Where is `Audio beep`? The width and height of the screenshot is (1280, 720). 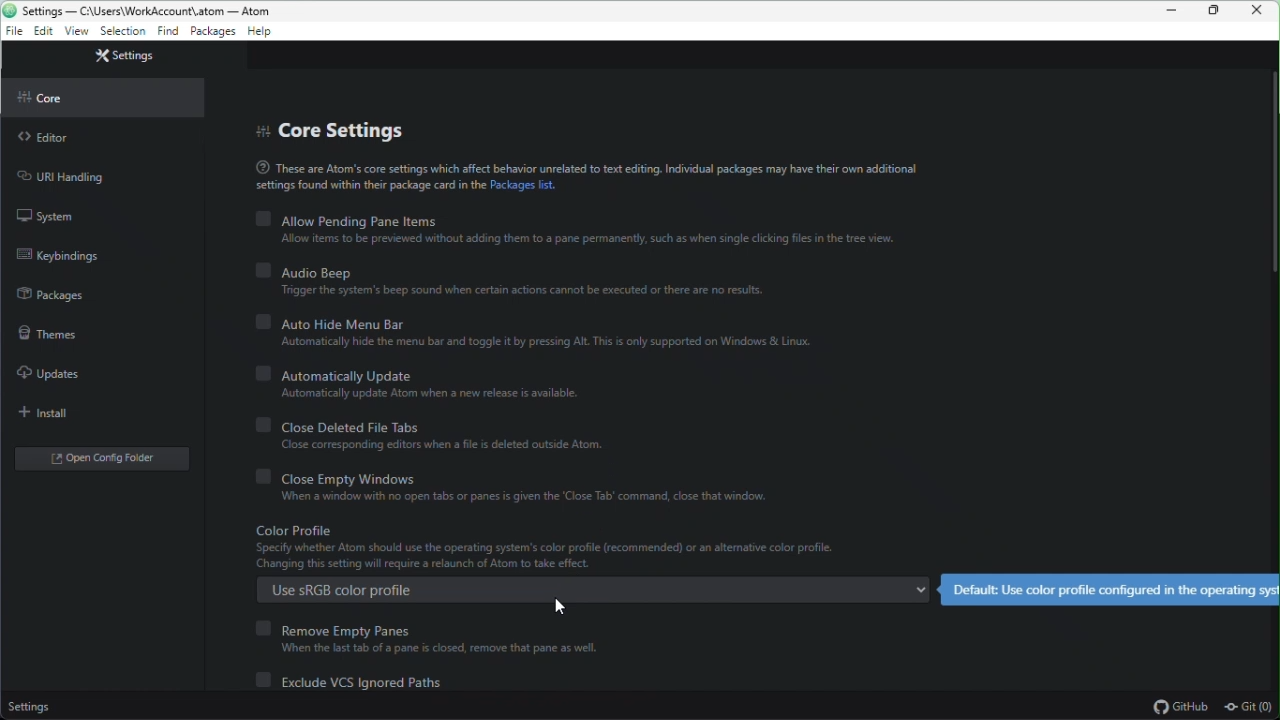
Audio beep is located at coordinates (511, 283).